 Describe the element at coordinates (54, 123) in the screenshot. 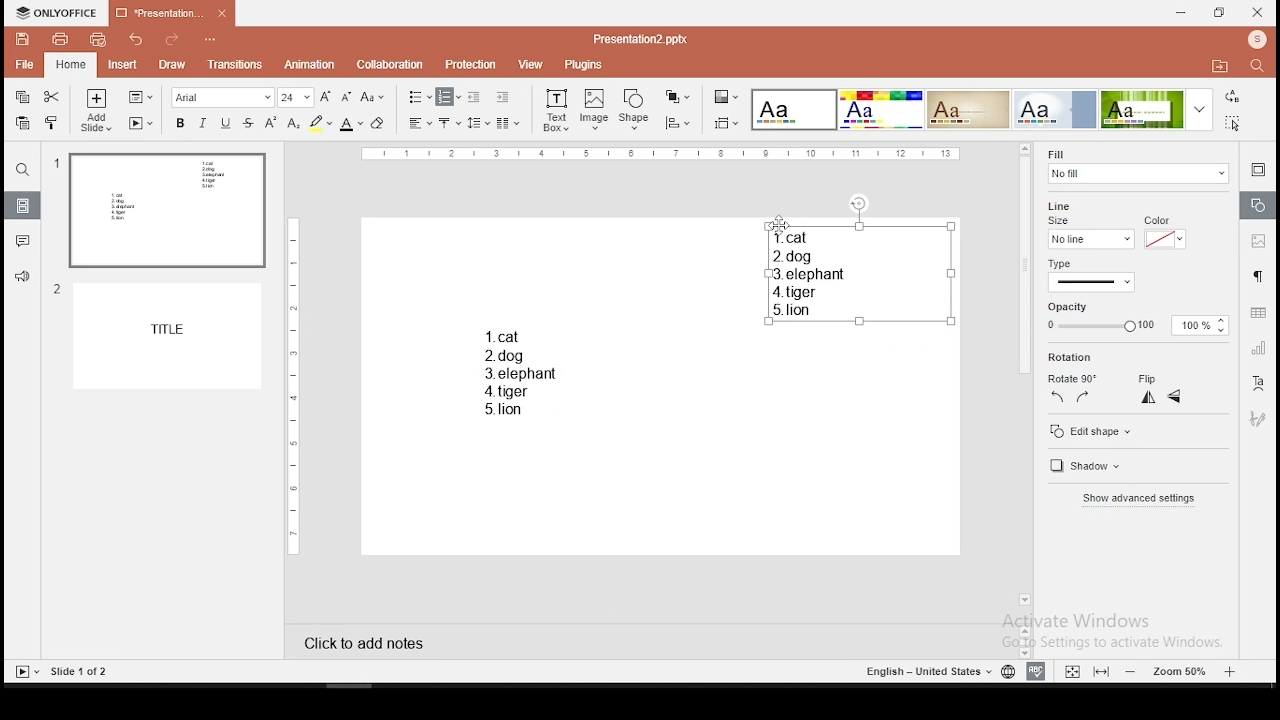

I see `clone formatting` at that location.